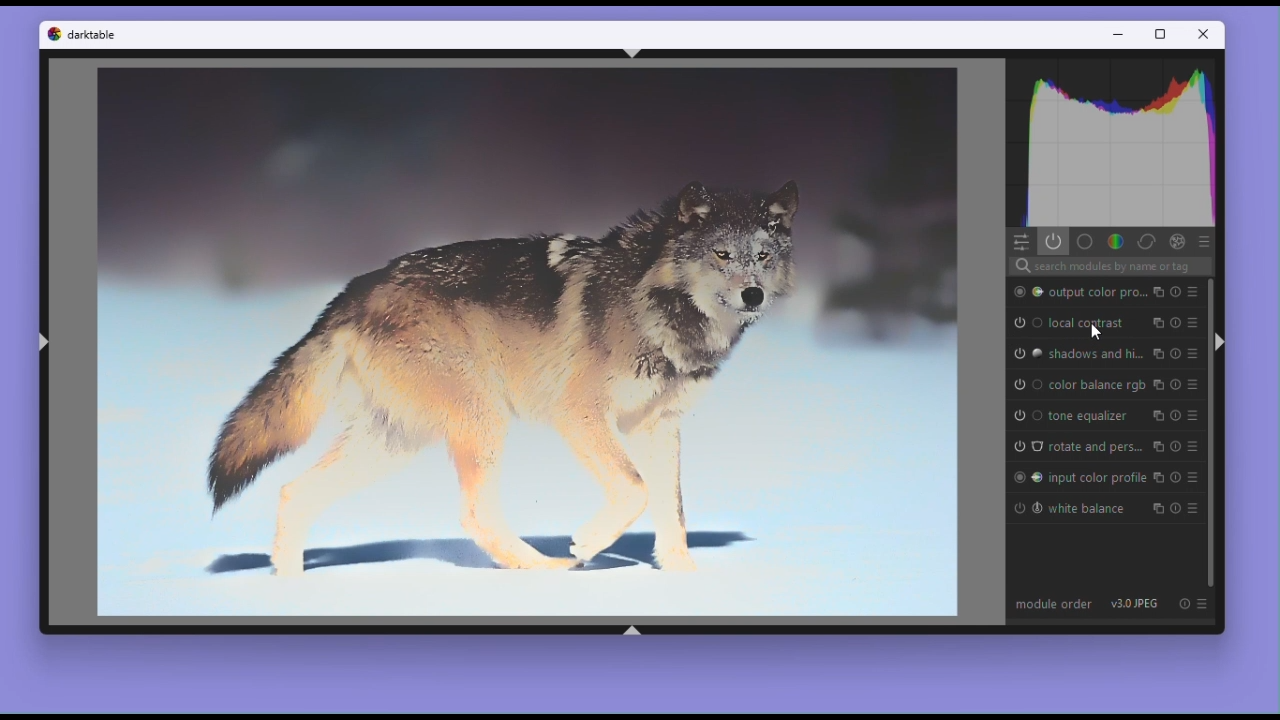  What do you see at coordinates (1114, 143) in the screenshot?
I see `histogram` at bounding box center [1114, 143].